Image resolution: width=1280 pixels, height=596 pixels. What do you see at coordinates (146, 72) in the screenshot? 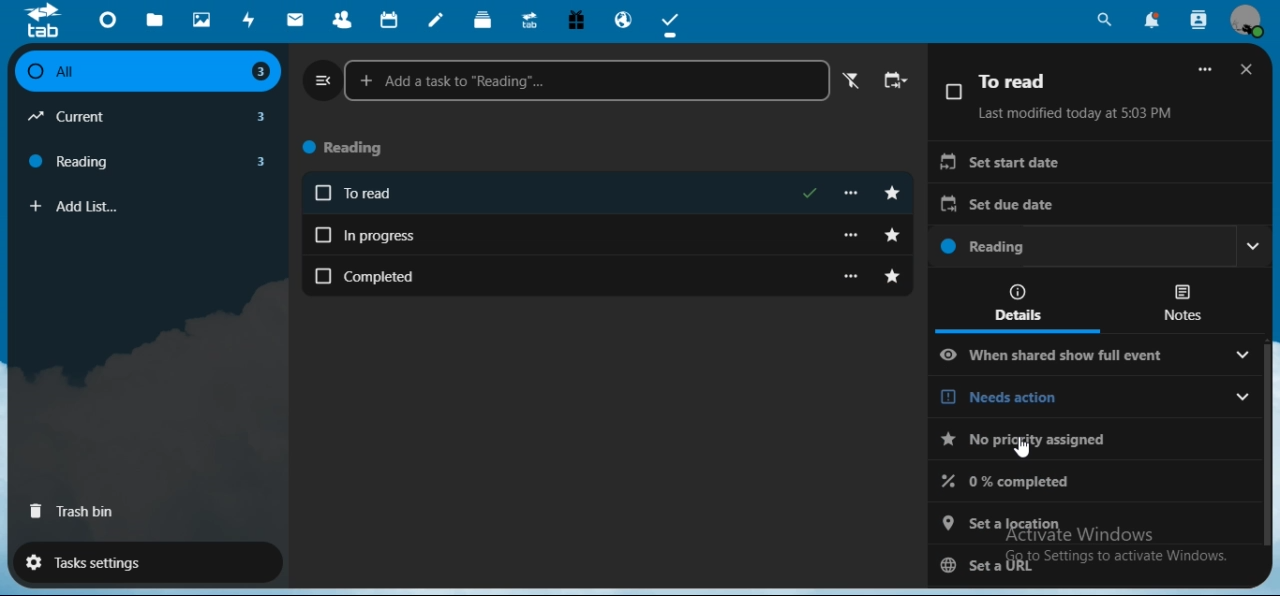
I see `all ` at bounding box center [146, 72].